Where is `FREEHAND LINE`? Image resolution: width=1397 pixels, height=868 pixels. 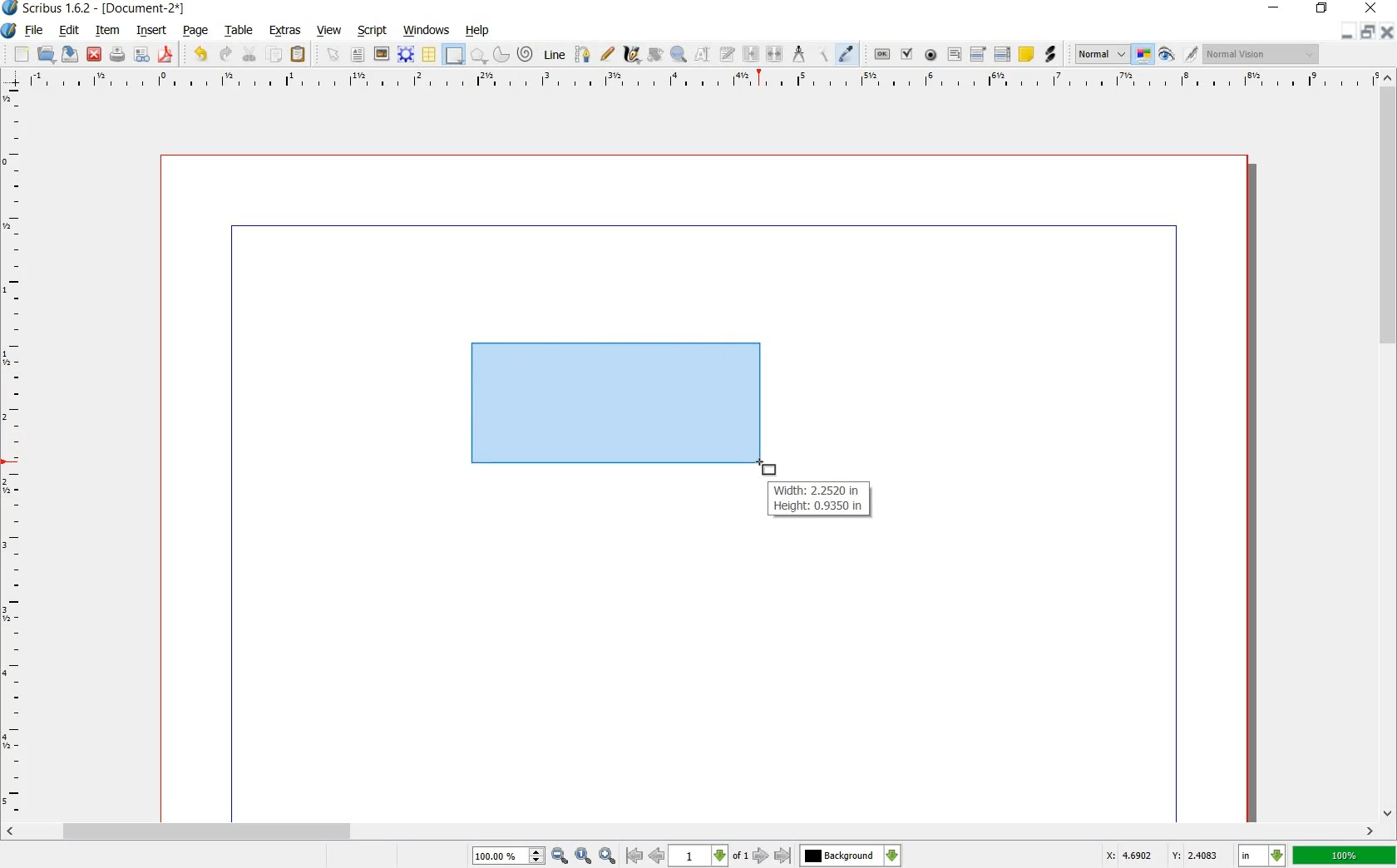 FREEHAND LINE is located at coordinates (608, 55).